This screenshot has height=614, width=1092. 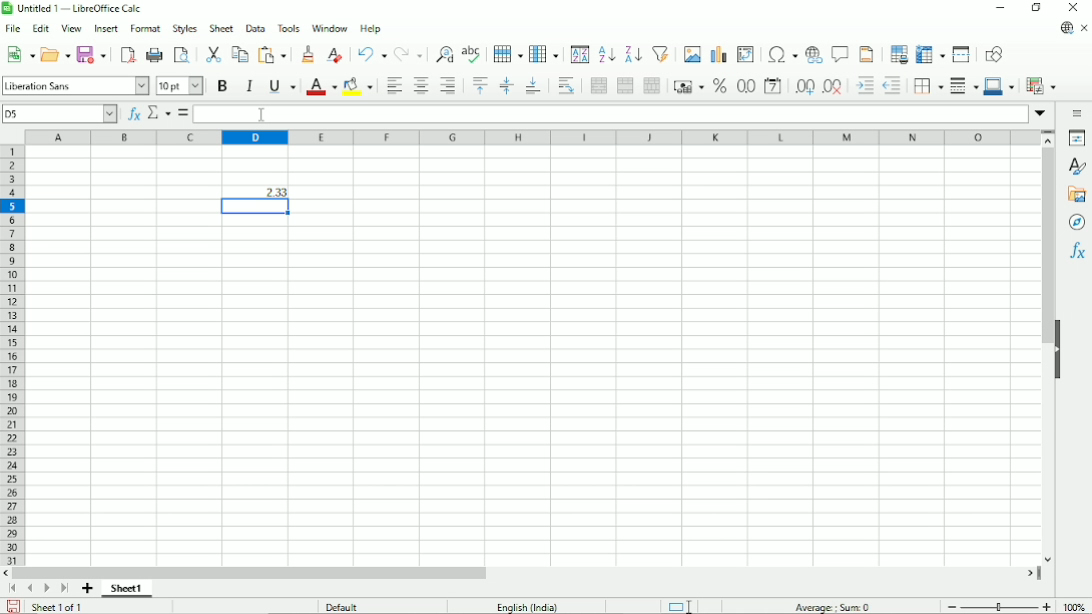 I want to click on zoom out, so click(x=953, y=607).